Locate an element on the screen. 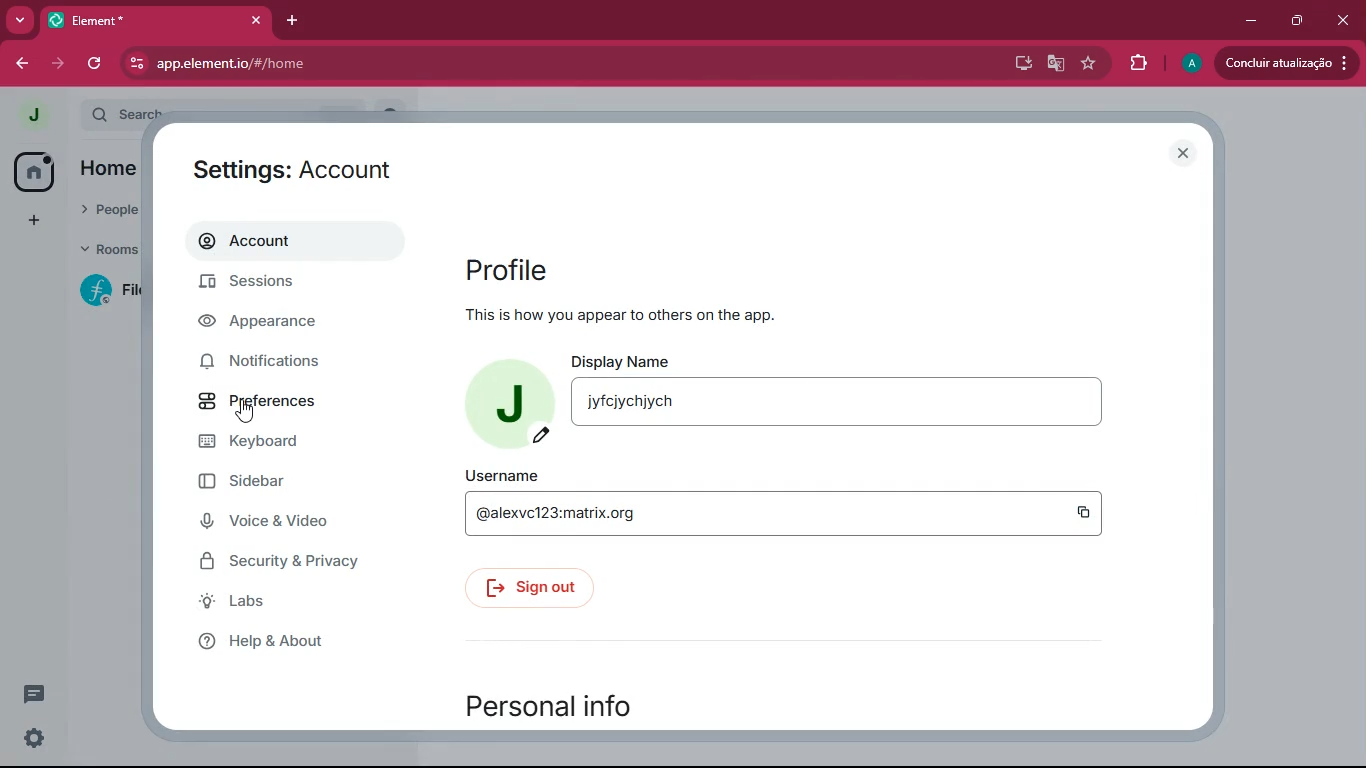 The width and height of the screenshot is (1366, 768). concluir atualizacao is located at coordinates (1284, 62).